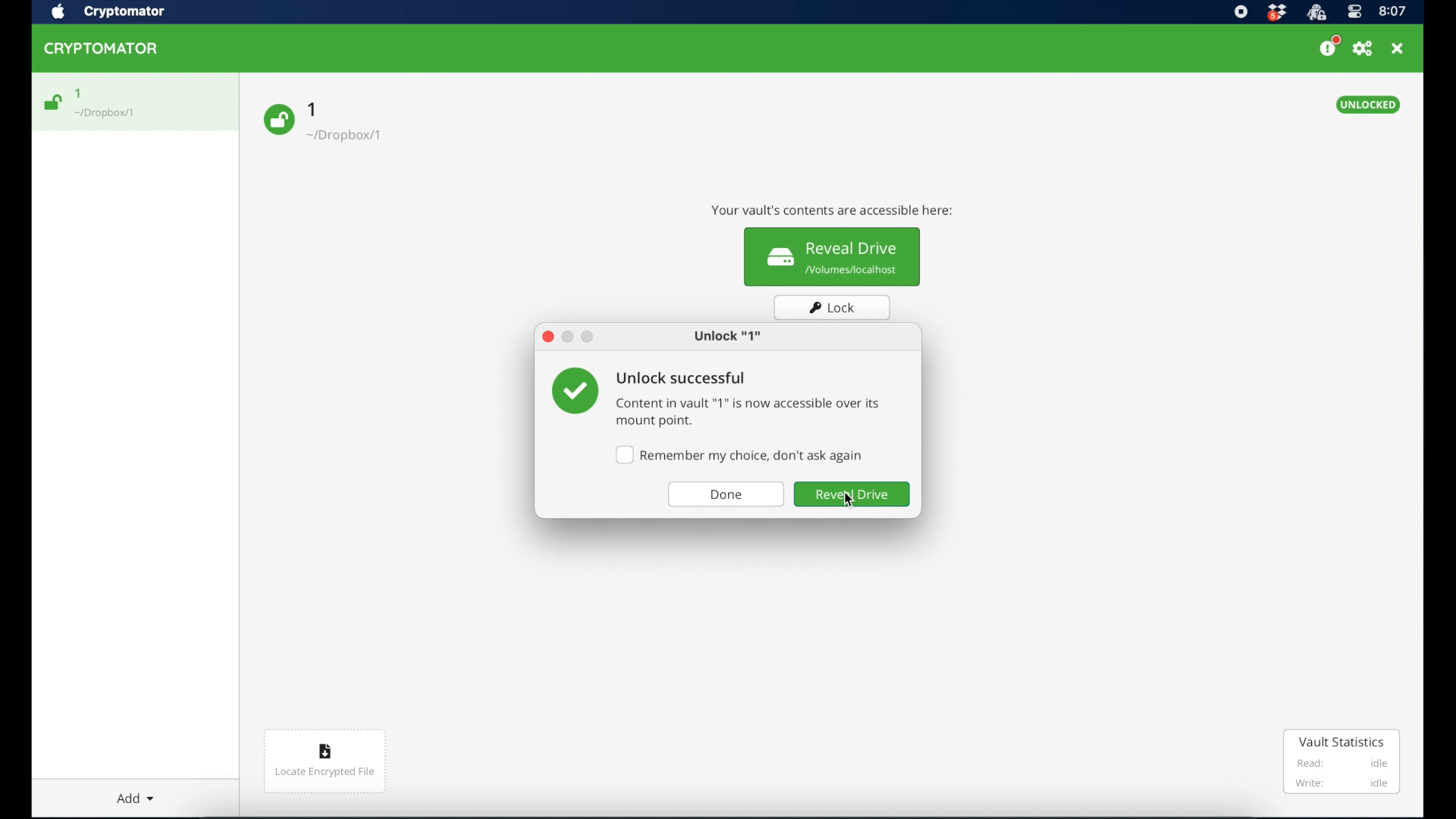  What do you see at coordinates (1316, 13) in the screenshot?
I see `crytptomator` at bounding box center [1316, 13].